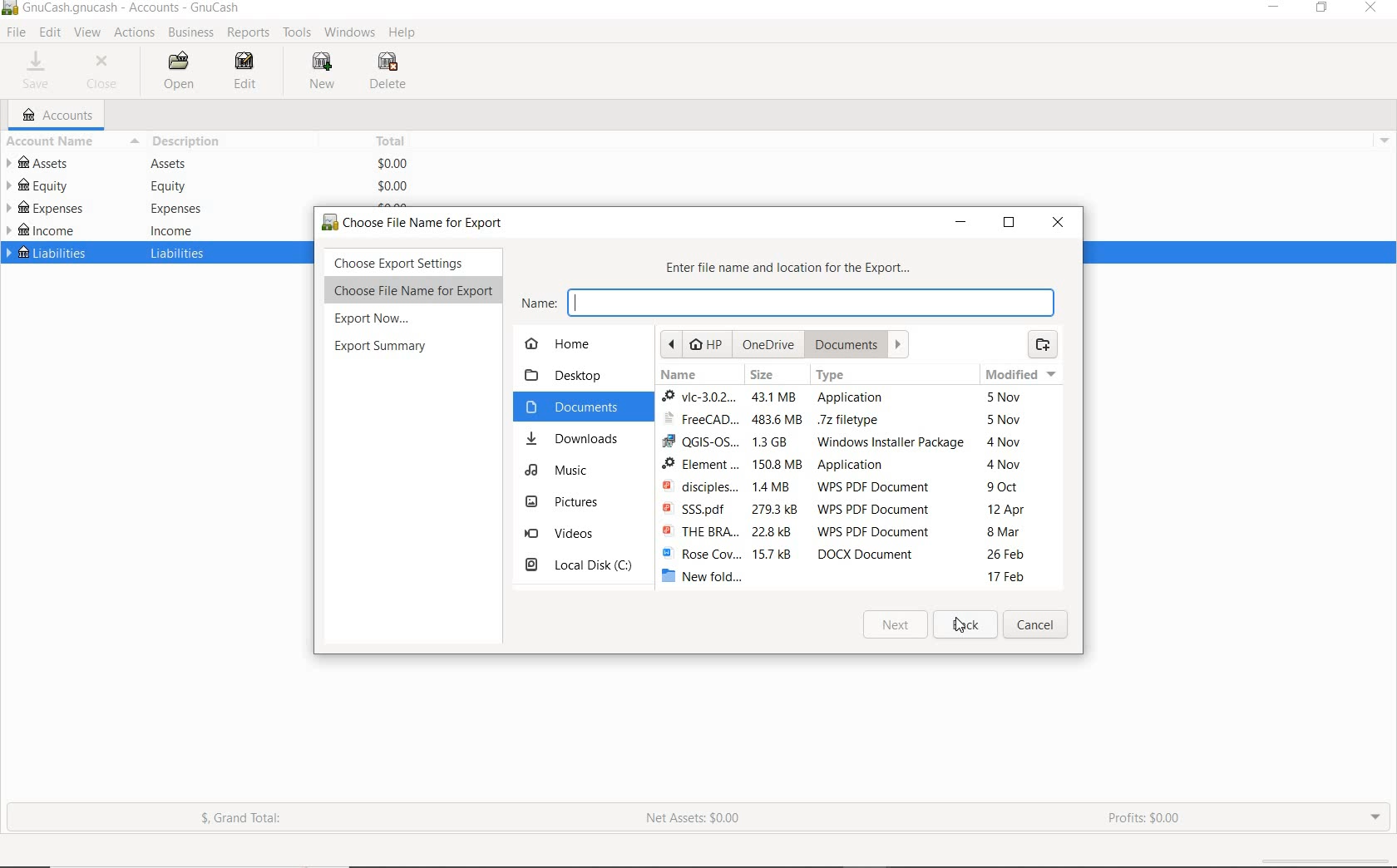 The width and height of the screenshot is (1397, 868). Describe the element at coordinates (55, 115) in the screenshot. I see `ACCOUNTS` at that location.